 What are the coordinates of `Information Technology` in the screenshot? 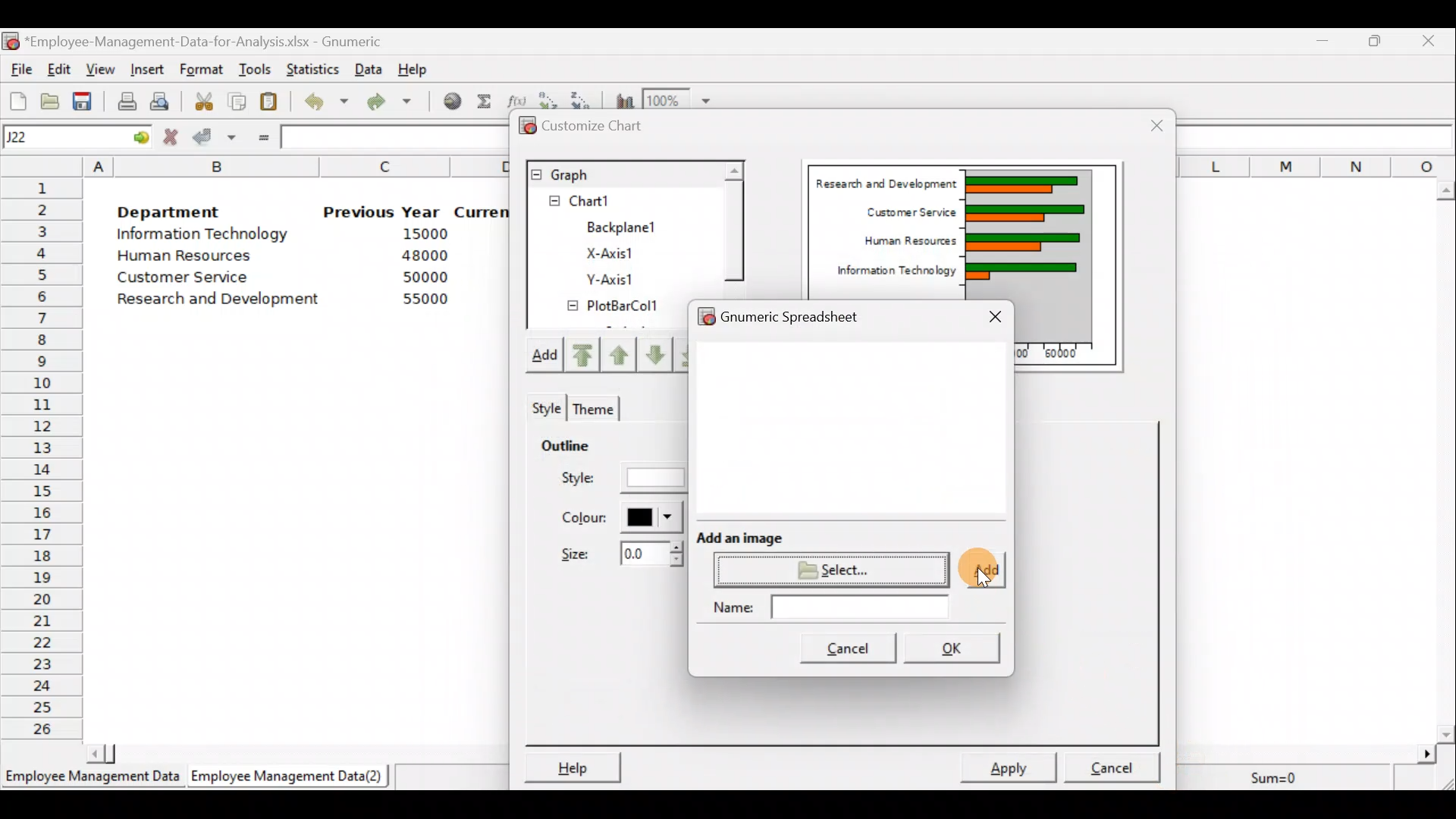 It's located at (891, 275).